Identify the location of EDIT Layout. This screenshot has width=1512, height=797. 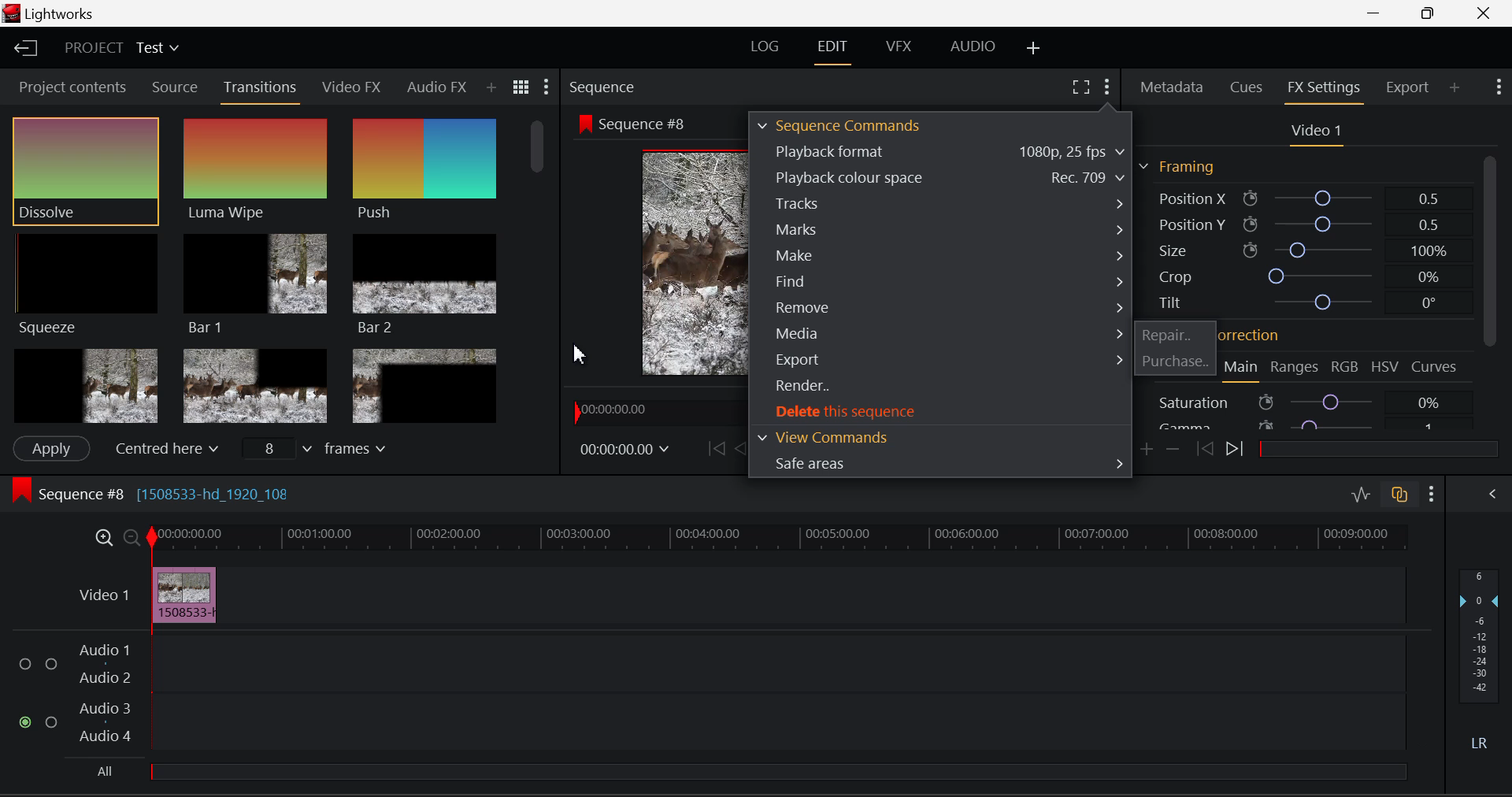
(832, 50).